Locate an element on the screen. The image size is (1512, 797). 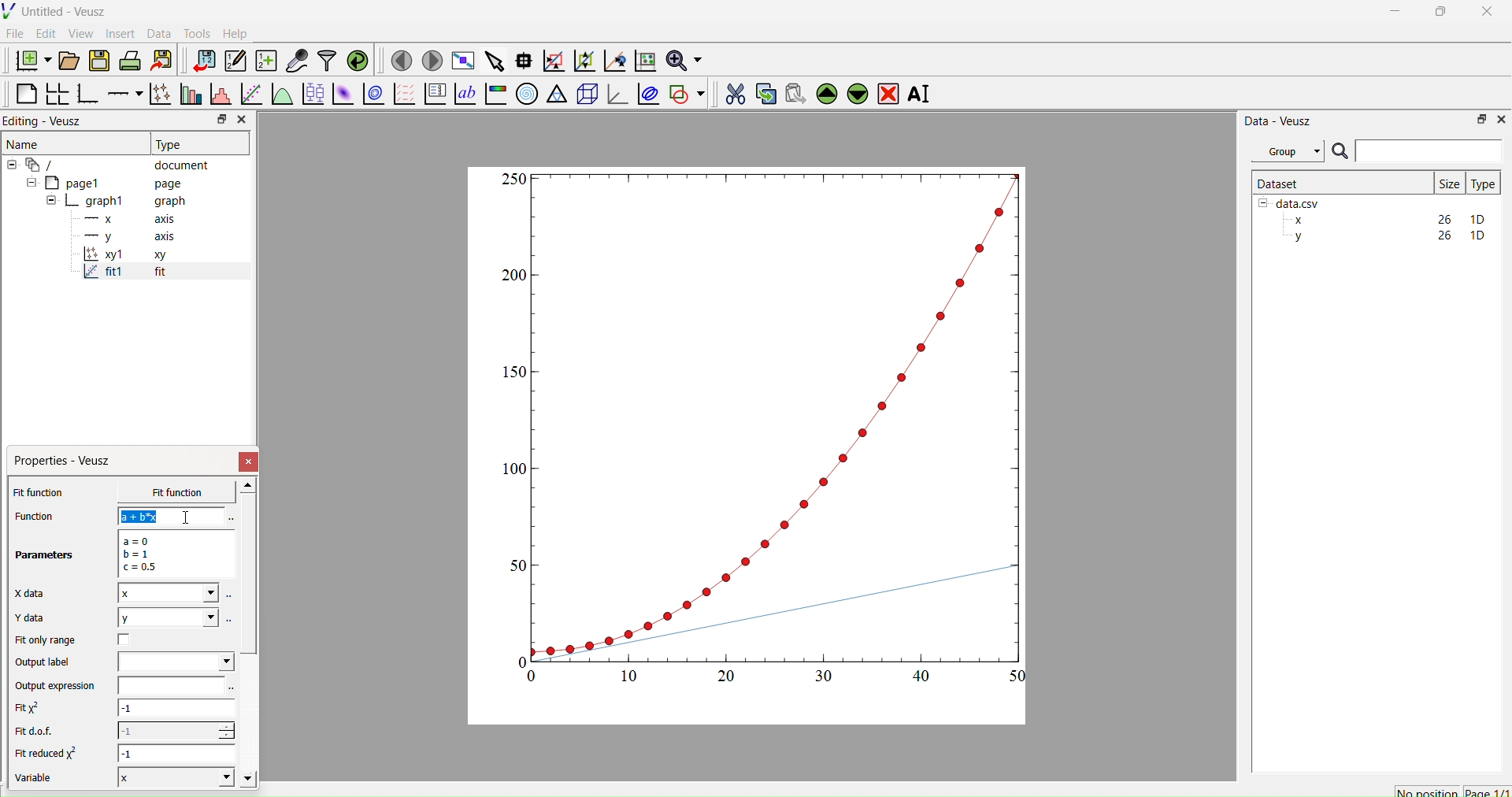
Ternary graph is located at coordinates (558, 93).